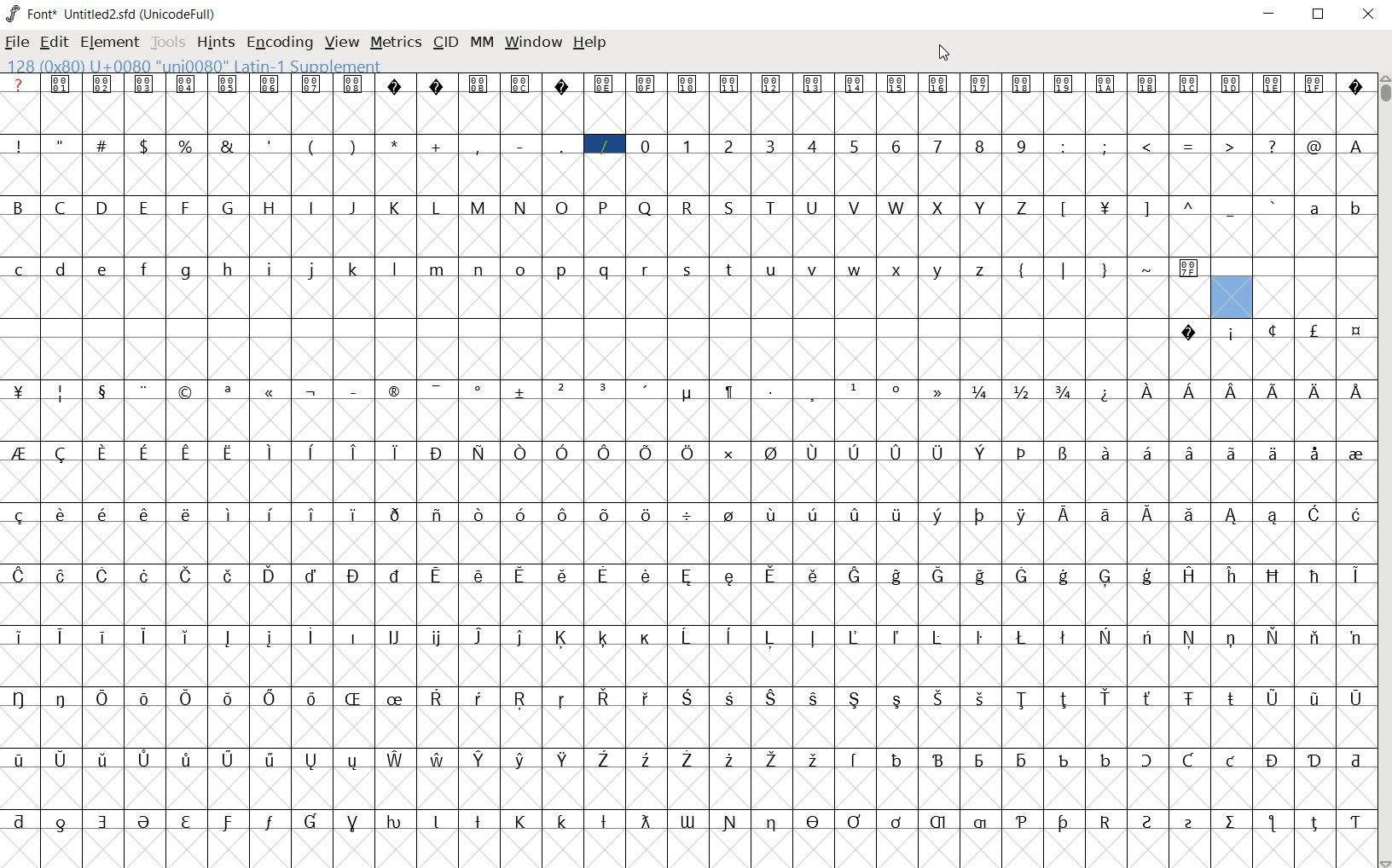  What do you see at coordinates (520, 453) in the screenshot?
I see `glyph` at bounding box center [520, 453].